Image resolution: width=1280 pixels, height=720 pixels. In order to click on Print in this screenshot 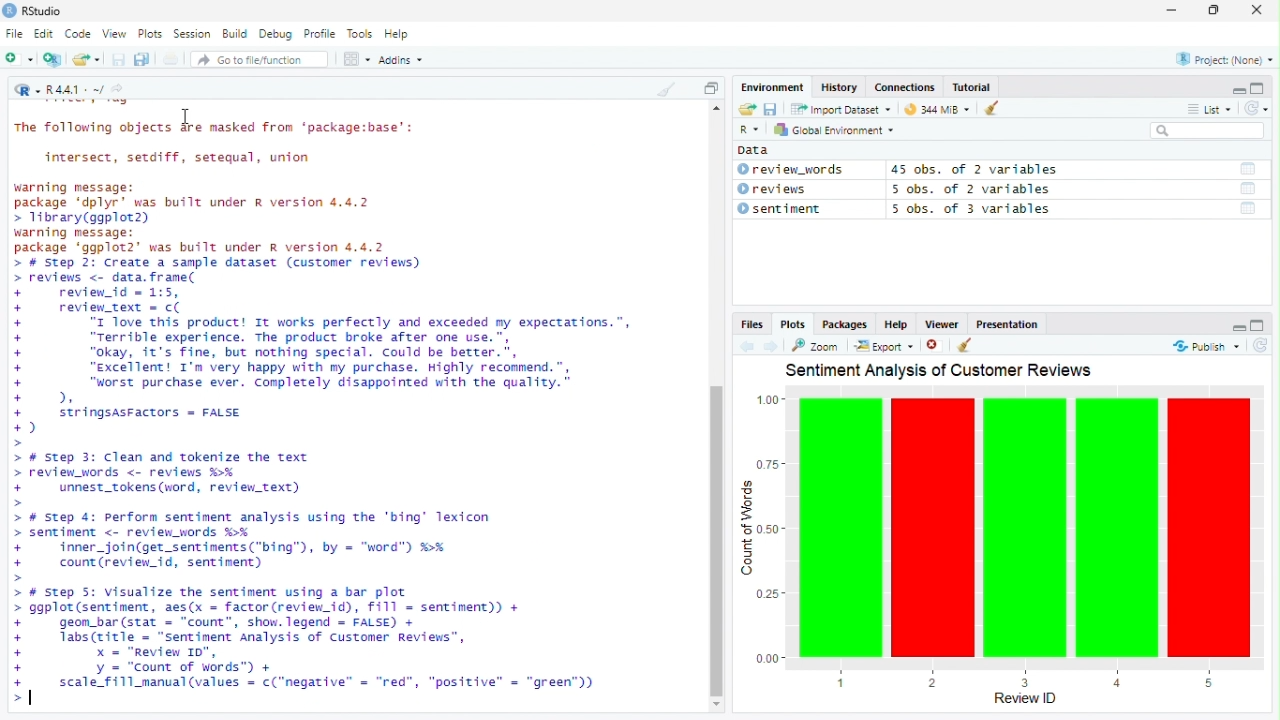, I will do `click(172, 59)`.